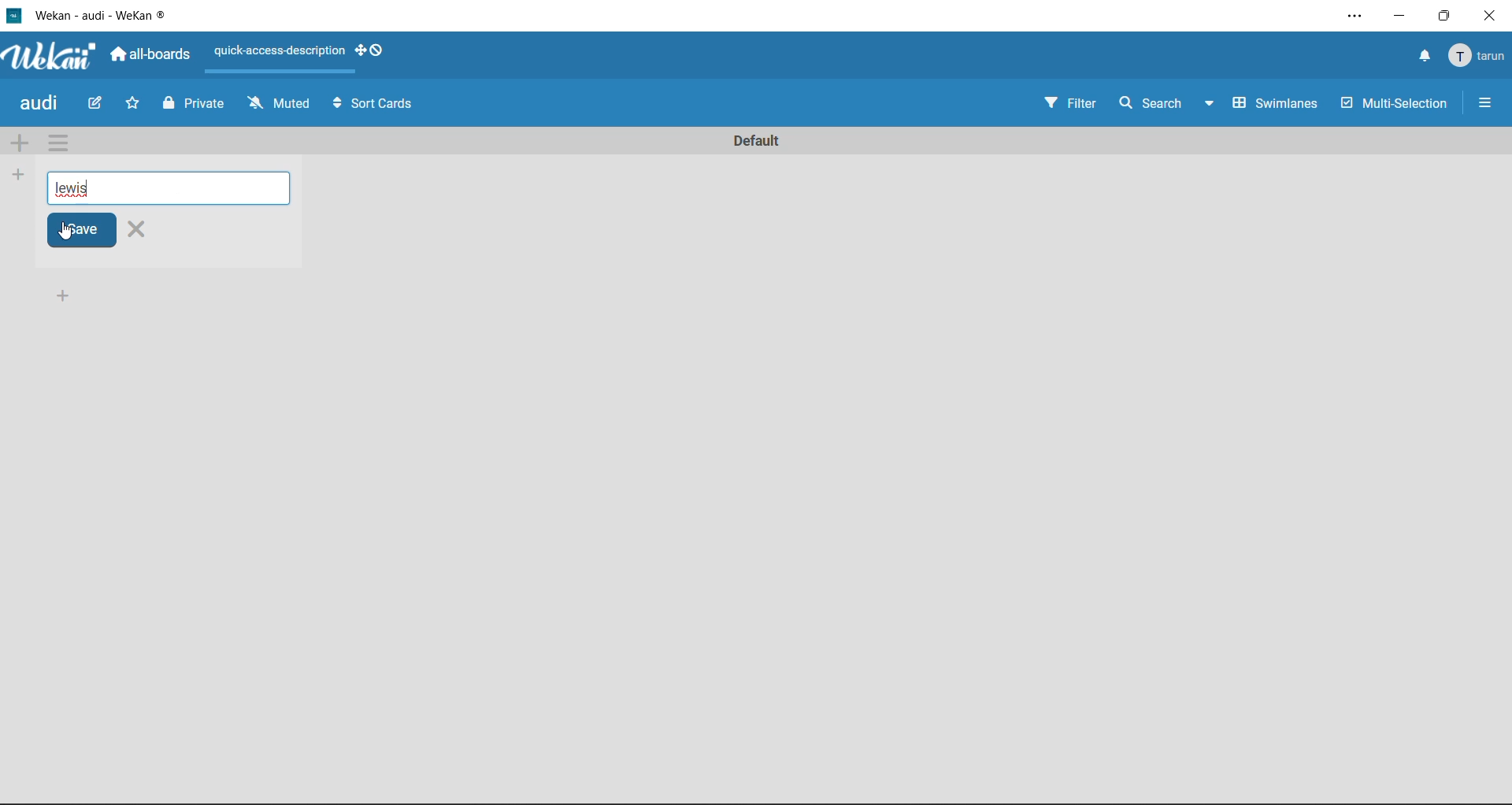 This screenshot has width=1512, height=805. What do you see at coordinates (335, 103) in the screenshot?
I see `Arrows` at bounding box center [335, 103].